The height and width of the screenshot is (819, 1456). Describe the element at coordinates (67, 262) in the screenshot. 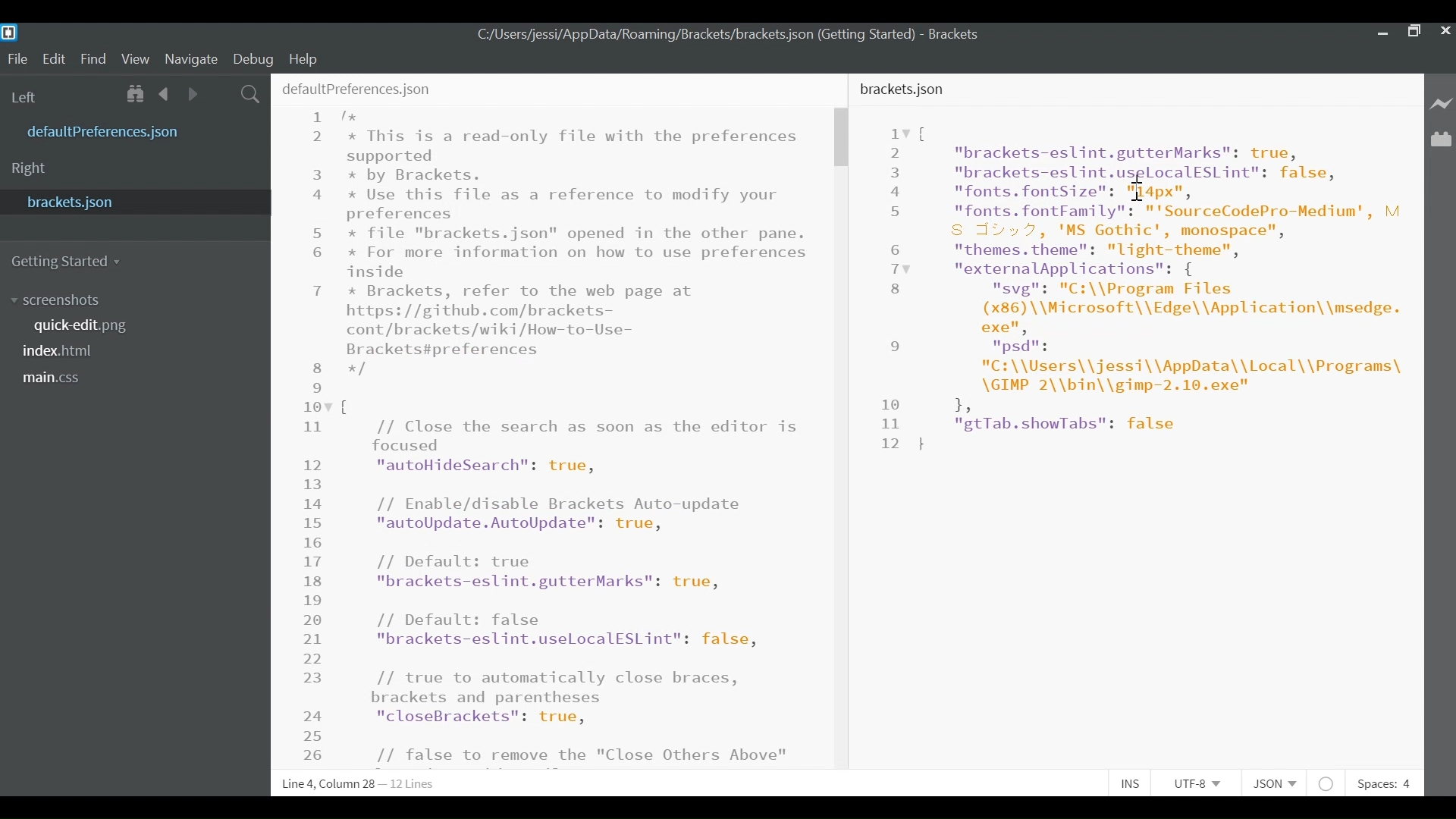

I see `Getting Started` at that location.